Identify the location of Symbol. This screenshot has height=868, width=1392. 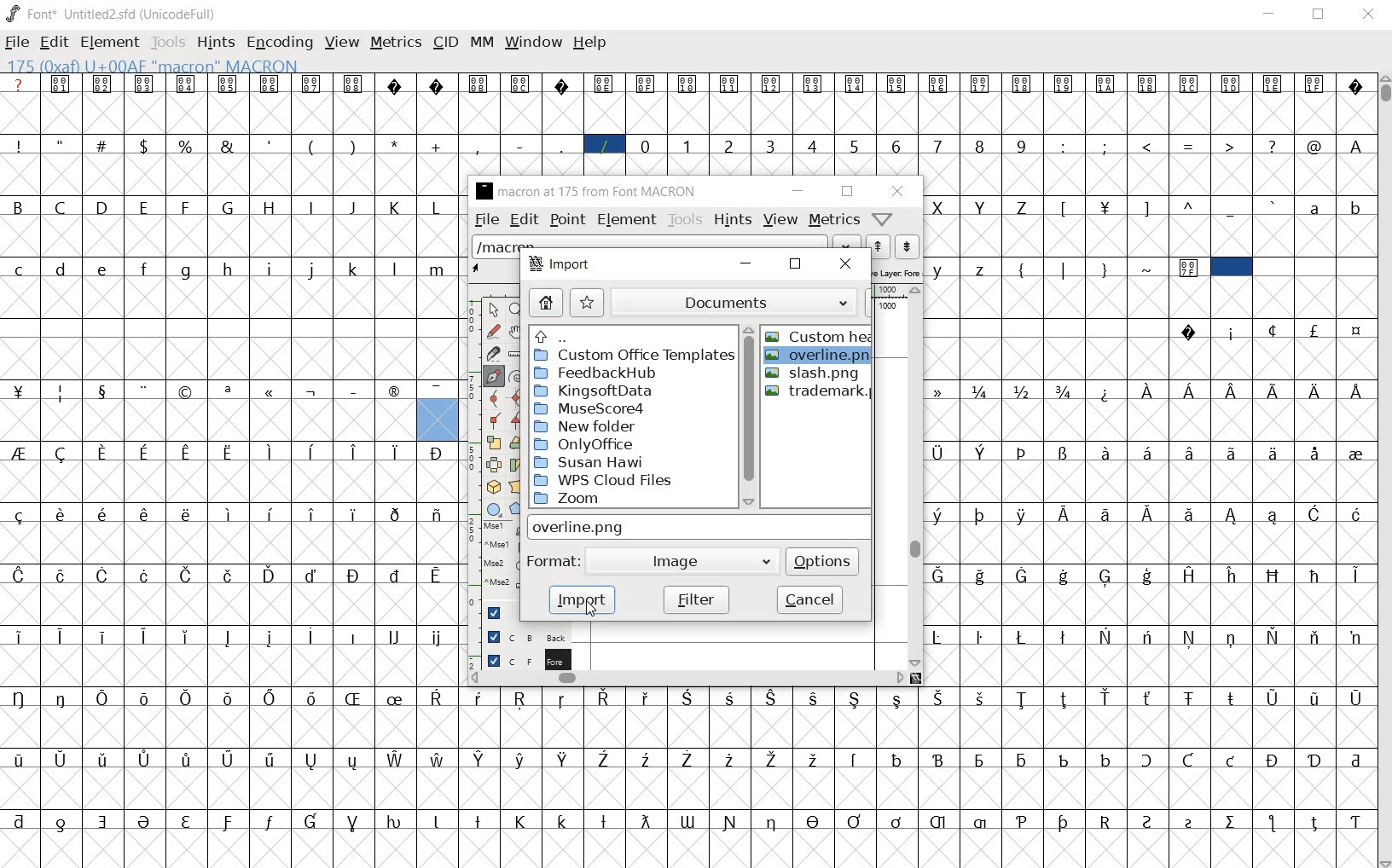
(189, 635).